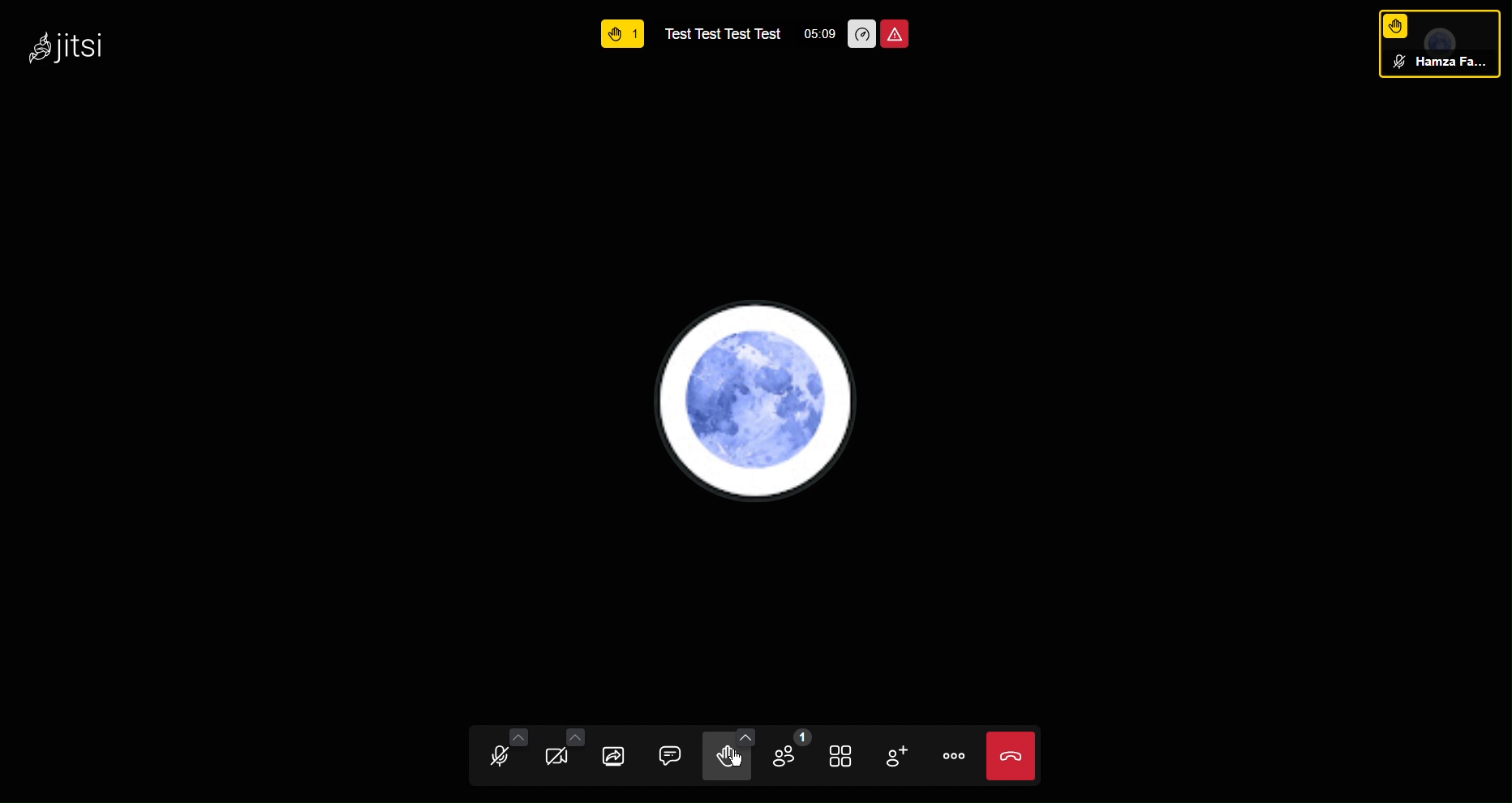  I want to click on Unsafe Meeting, so click(898, 33).